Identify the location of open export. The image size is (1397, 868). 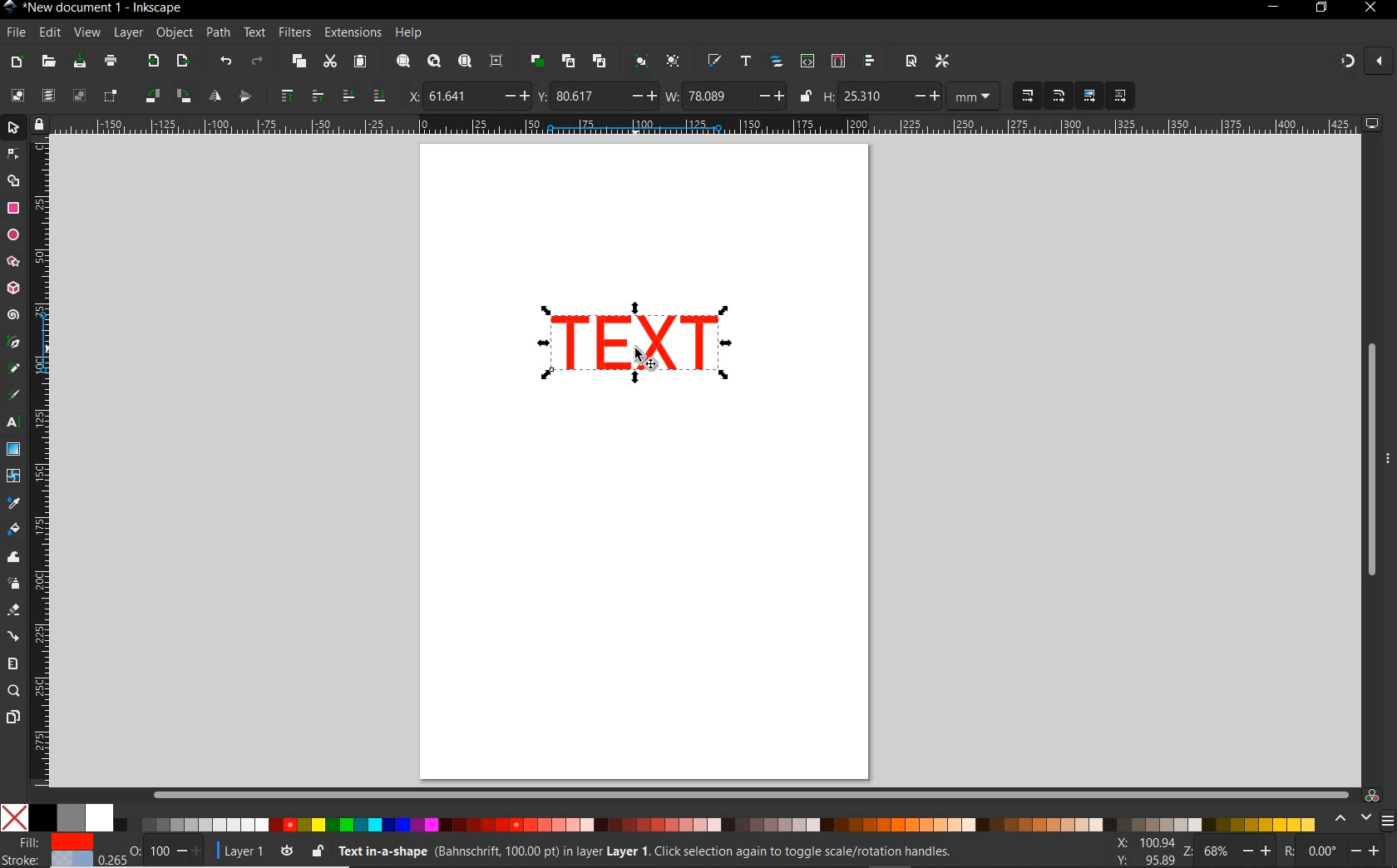
(182, 62).